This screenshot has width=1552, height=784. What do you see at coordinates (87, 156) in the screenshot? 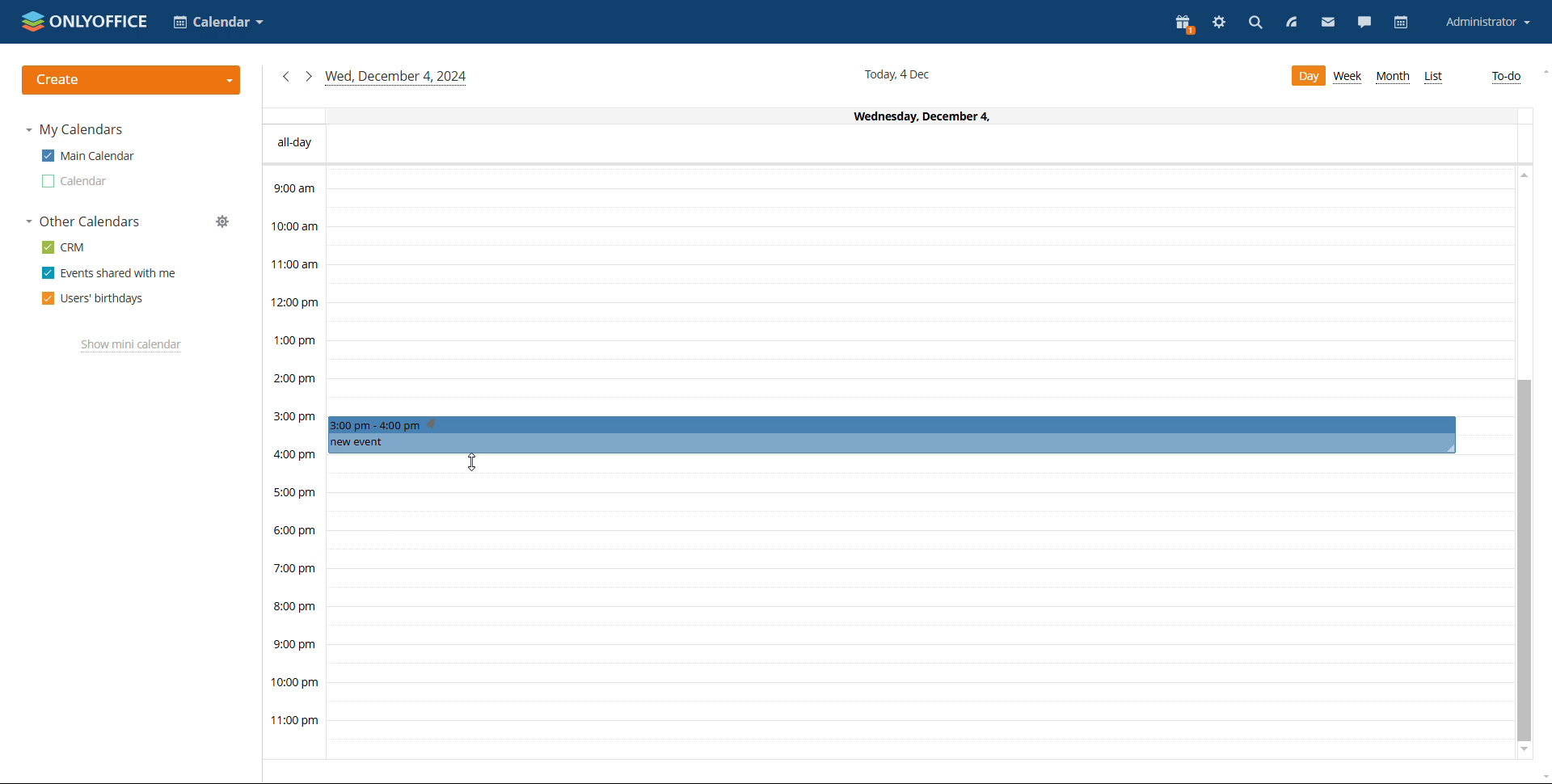
I see `main calendars` at bounding box center [87, 156].